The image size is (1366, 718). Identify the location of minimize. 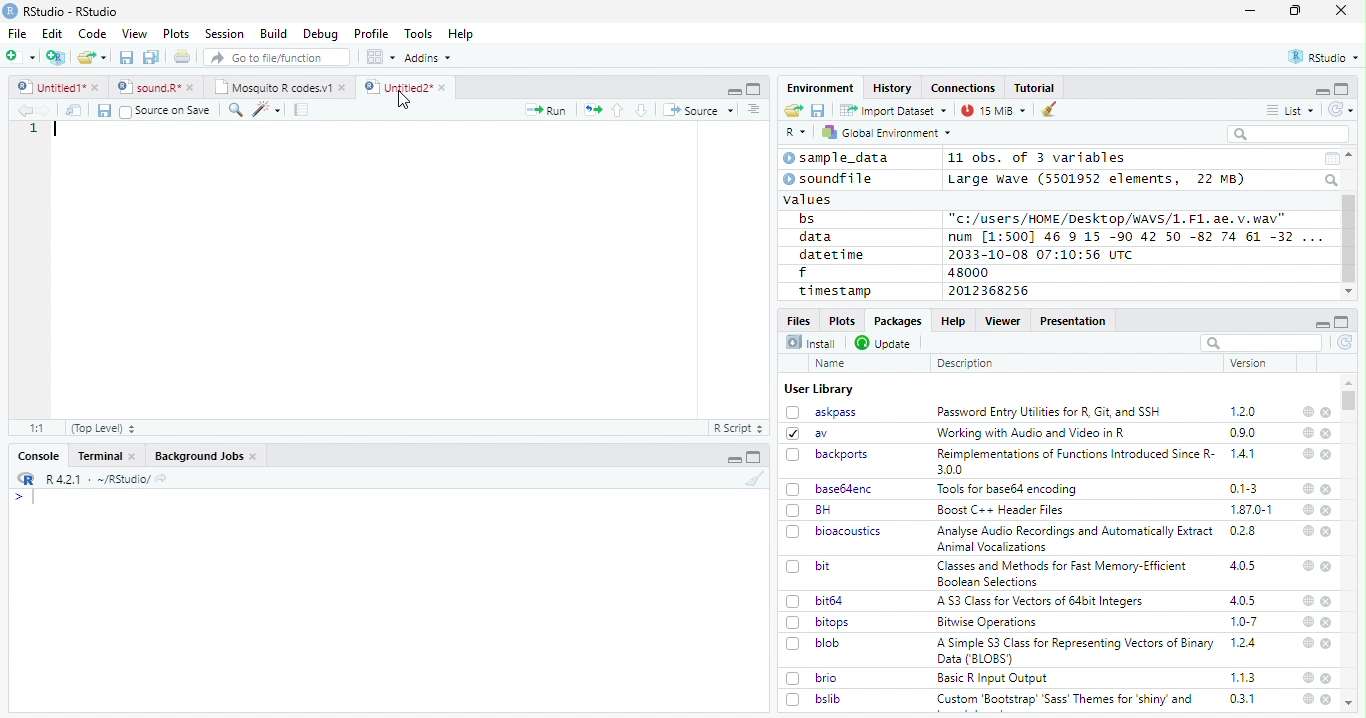
(1321, 90).